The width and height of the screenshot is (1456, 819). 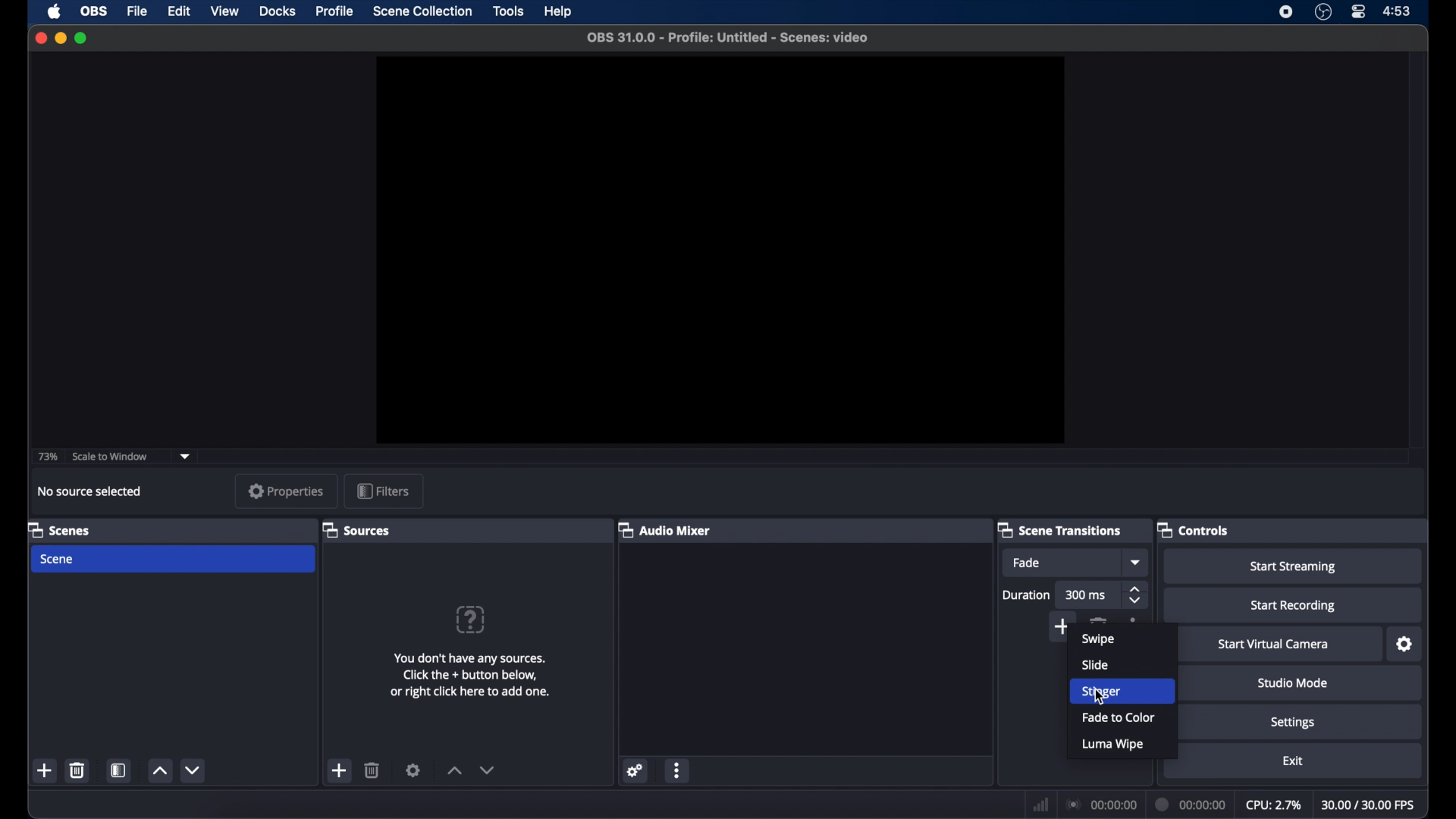 I want to click on control center, so click(x=1359, y=12).